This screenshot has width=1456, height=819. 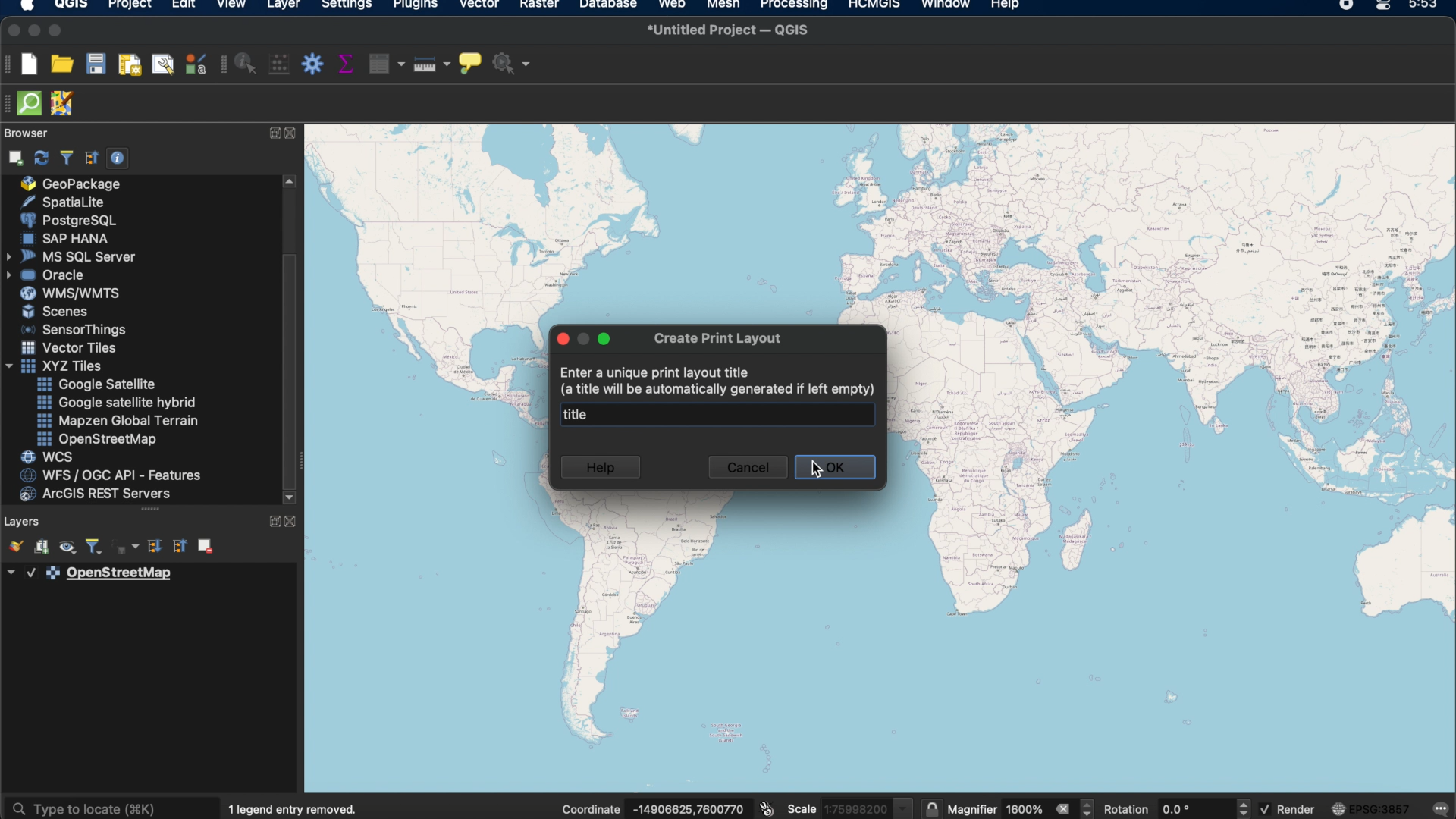 I want to click on expand all, so click(x=153, y=546).